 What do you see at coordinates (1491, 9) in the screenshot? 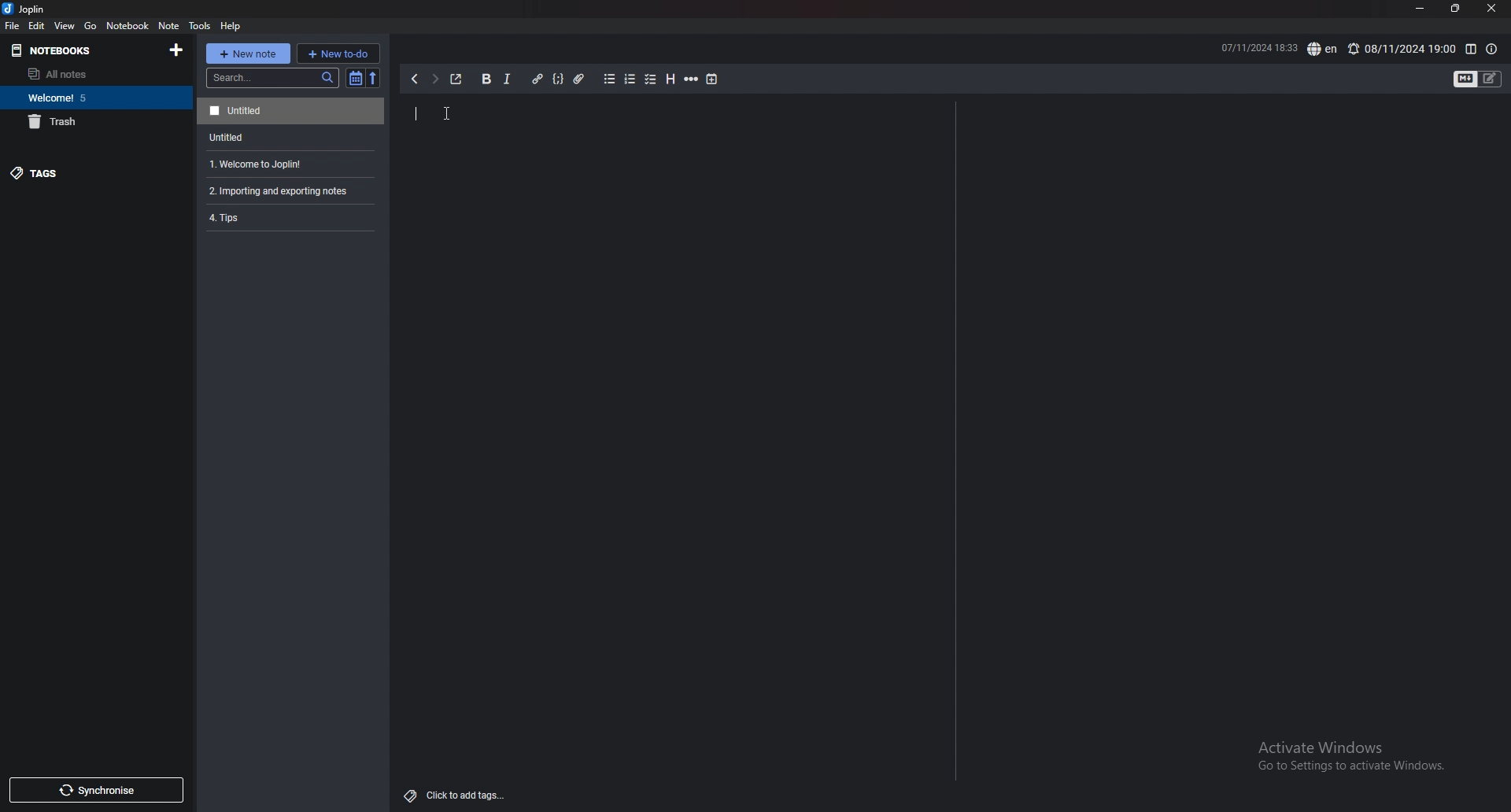
I see `close` at bounding box center [1491, 9].